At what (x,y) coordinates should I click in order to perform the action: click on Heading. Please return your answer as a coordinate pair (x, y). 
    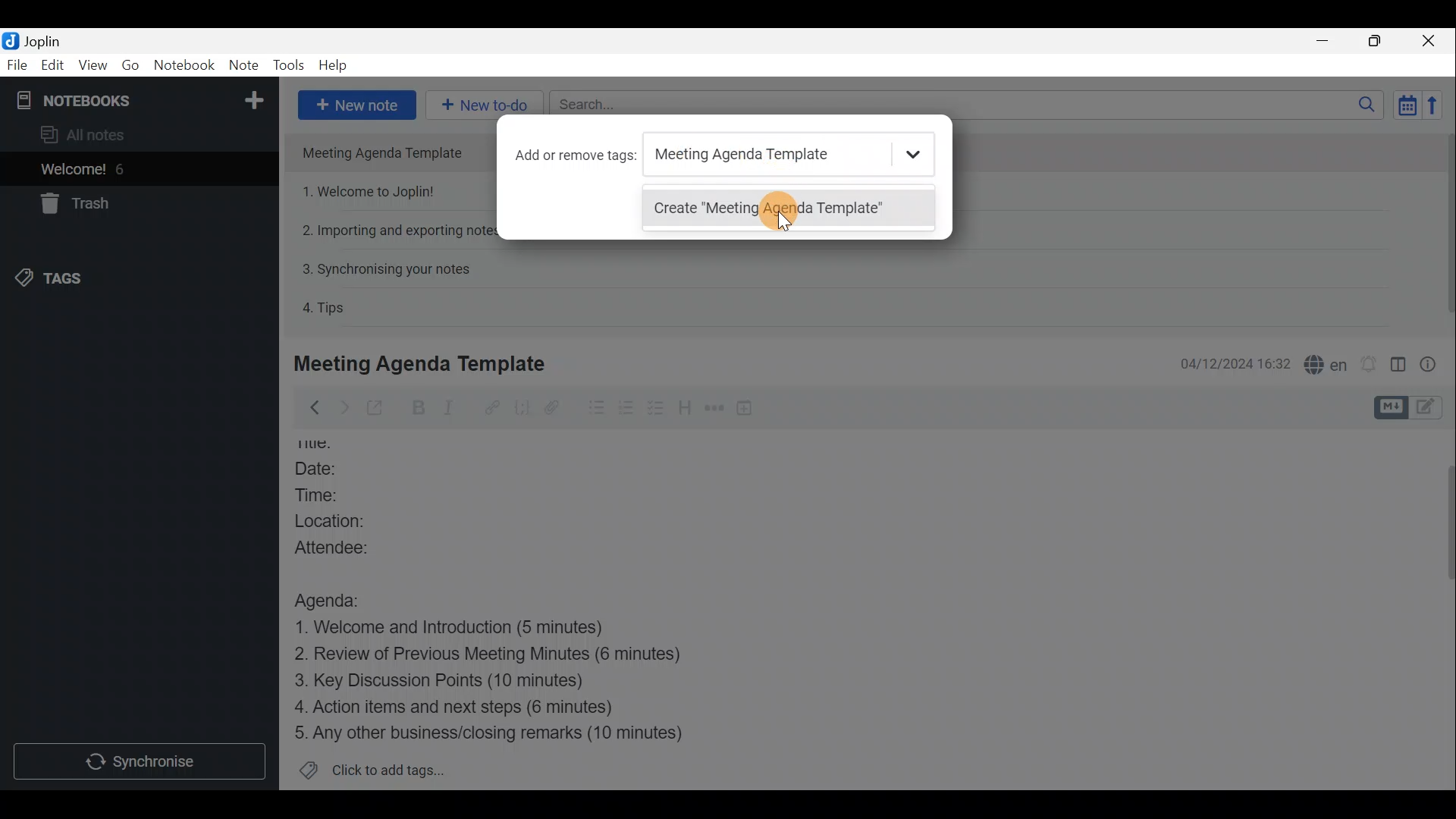
    Looking at the image, I should click on (683, 413).